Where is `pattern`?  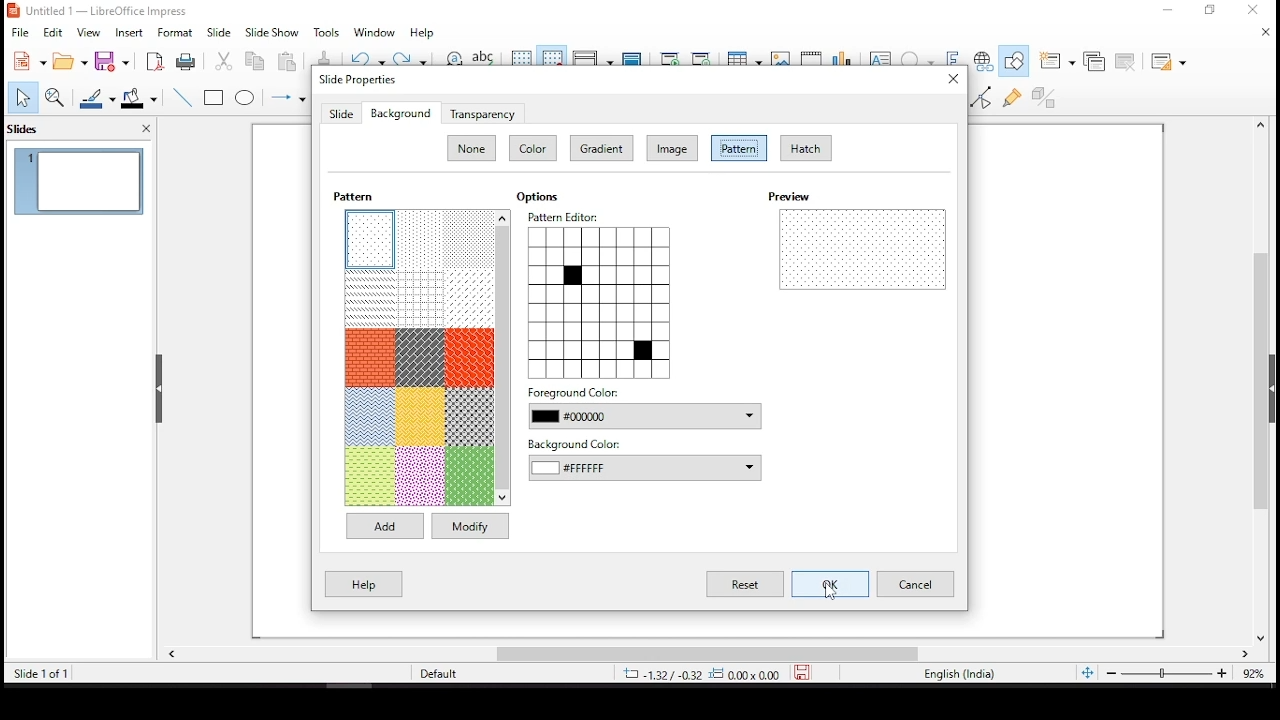 pattern is located at coordinates (468, 358).